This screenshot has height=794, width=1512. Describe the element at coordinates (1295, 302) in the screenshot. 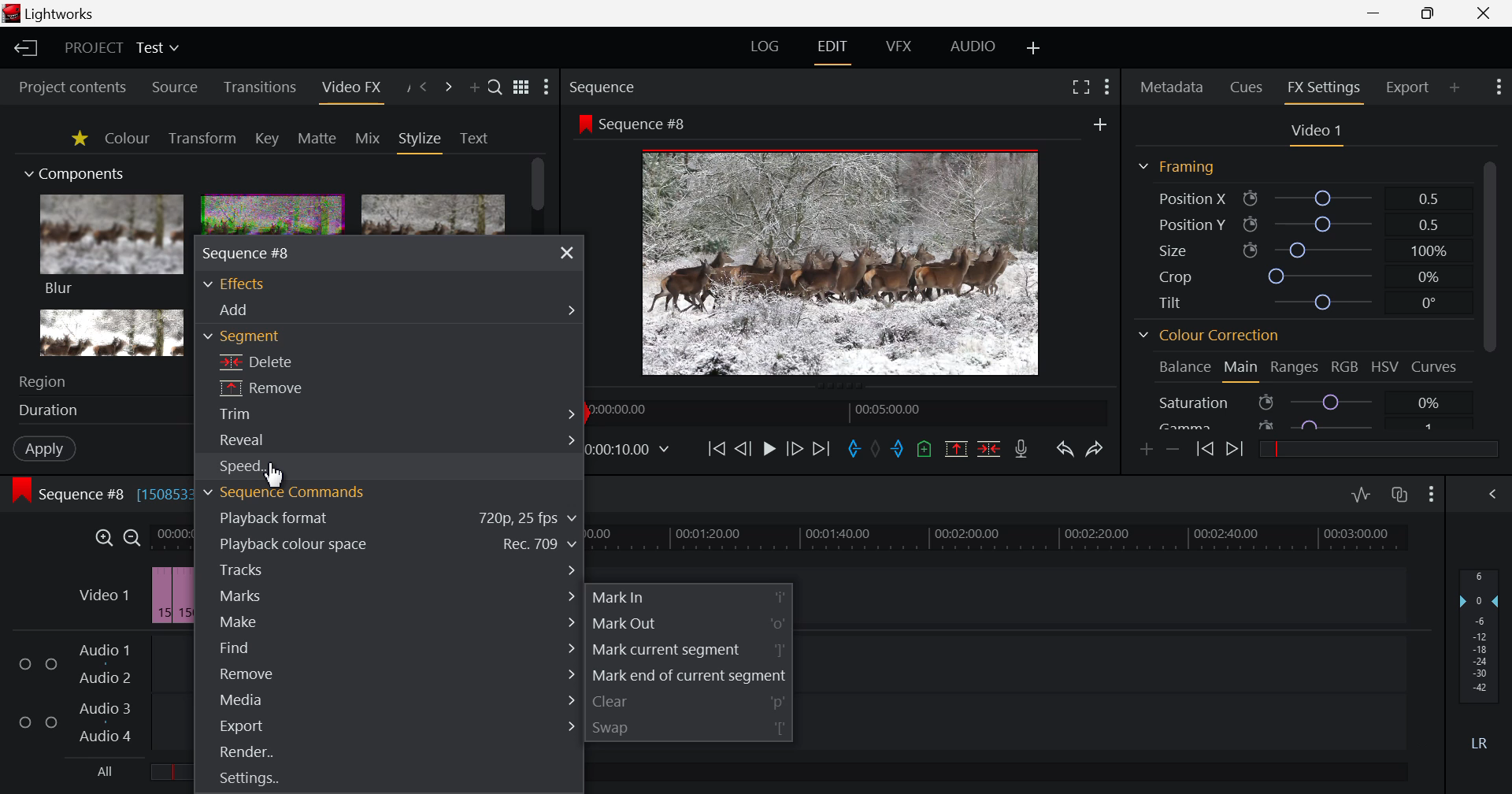

I see `Tilt` at that location.